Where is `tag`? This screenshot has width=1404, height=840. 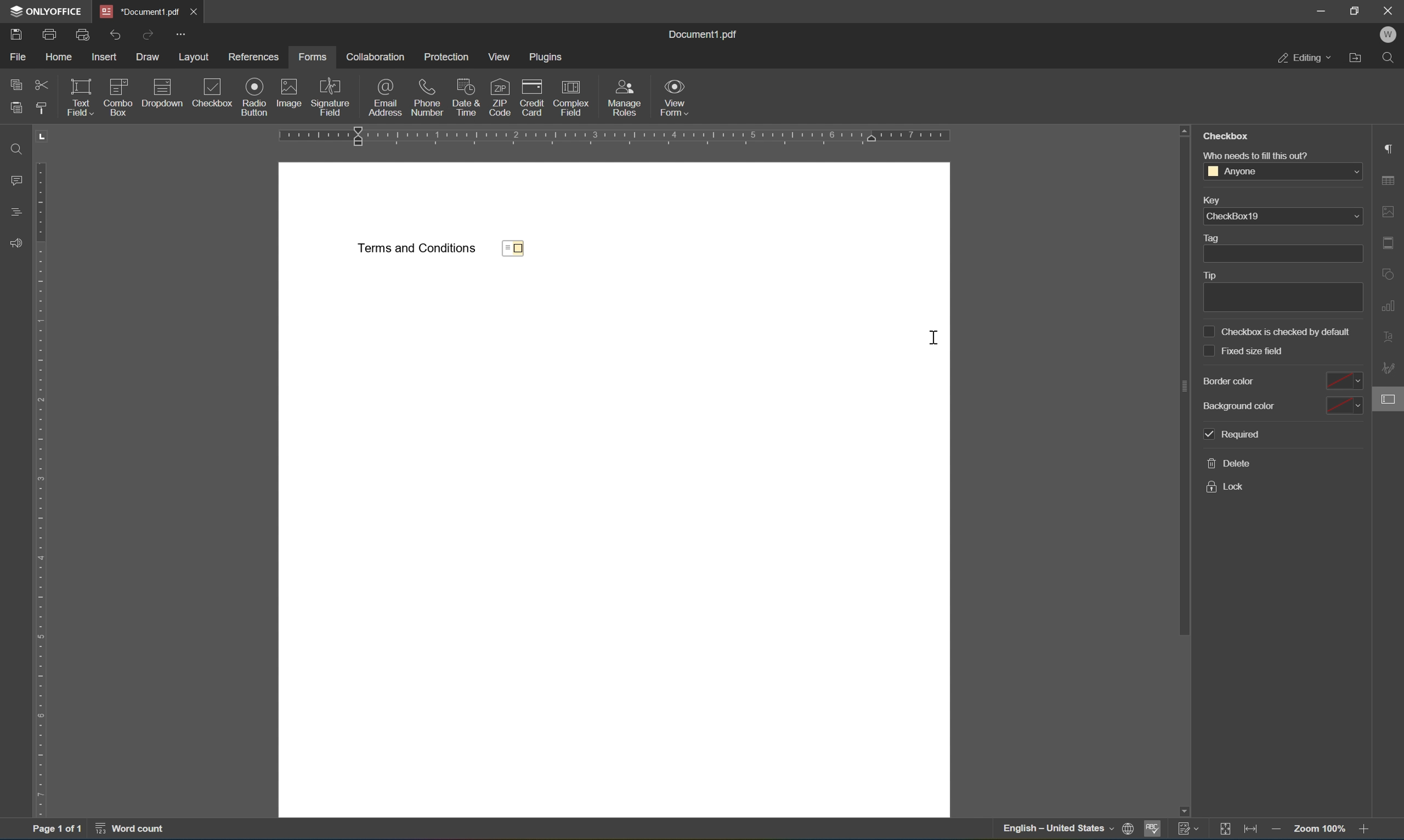
tag is located at coordinates (1278, 247).